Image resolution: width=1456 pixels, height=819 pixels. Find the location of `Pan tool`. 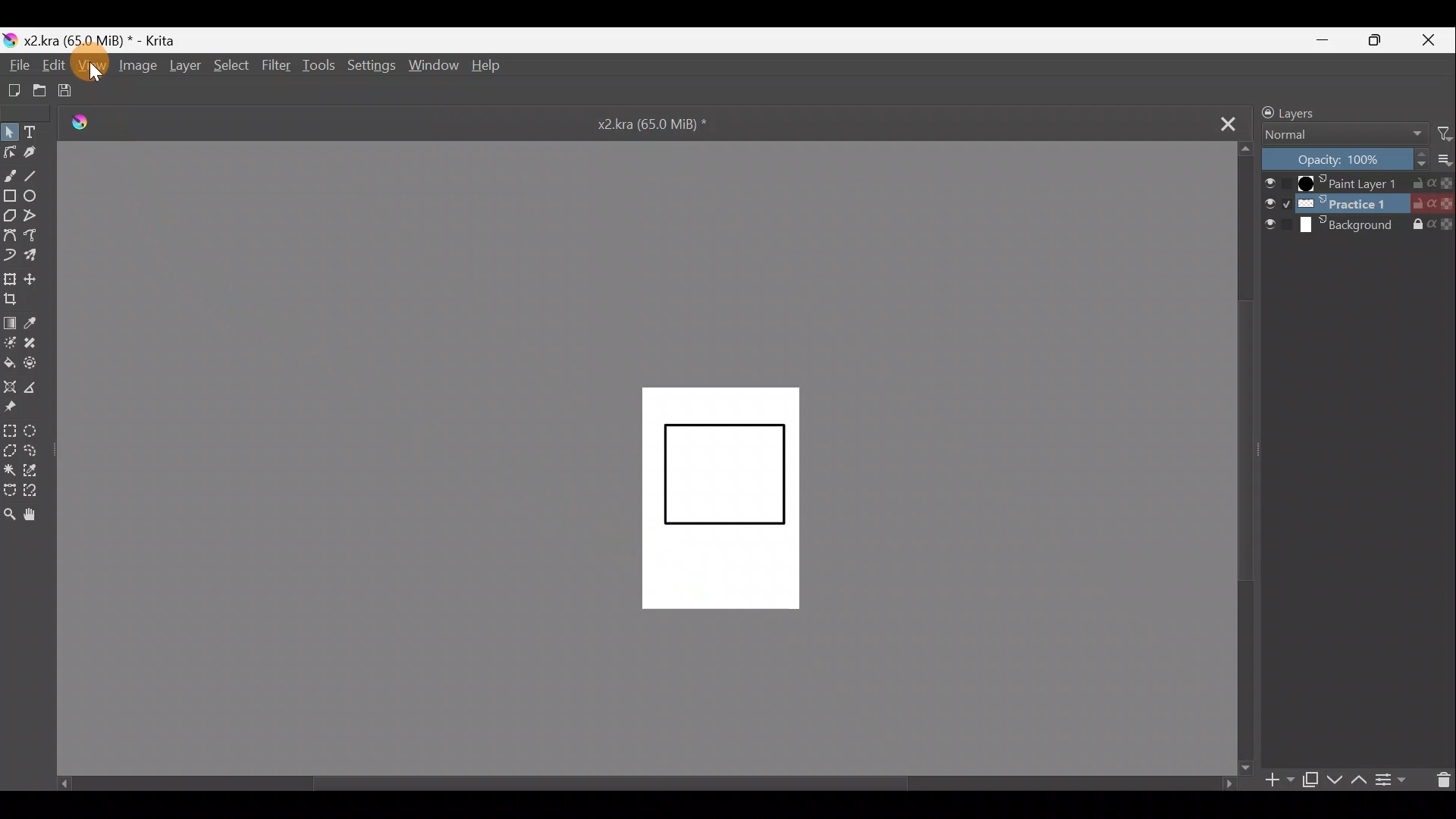

Pan tool is located at coordinates (42, 516).